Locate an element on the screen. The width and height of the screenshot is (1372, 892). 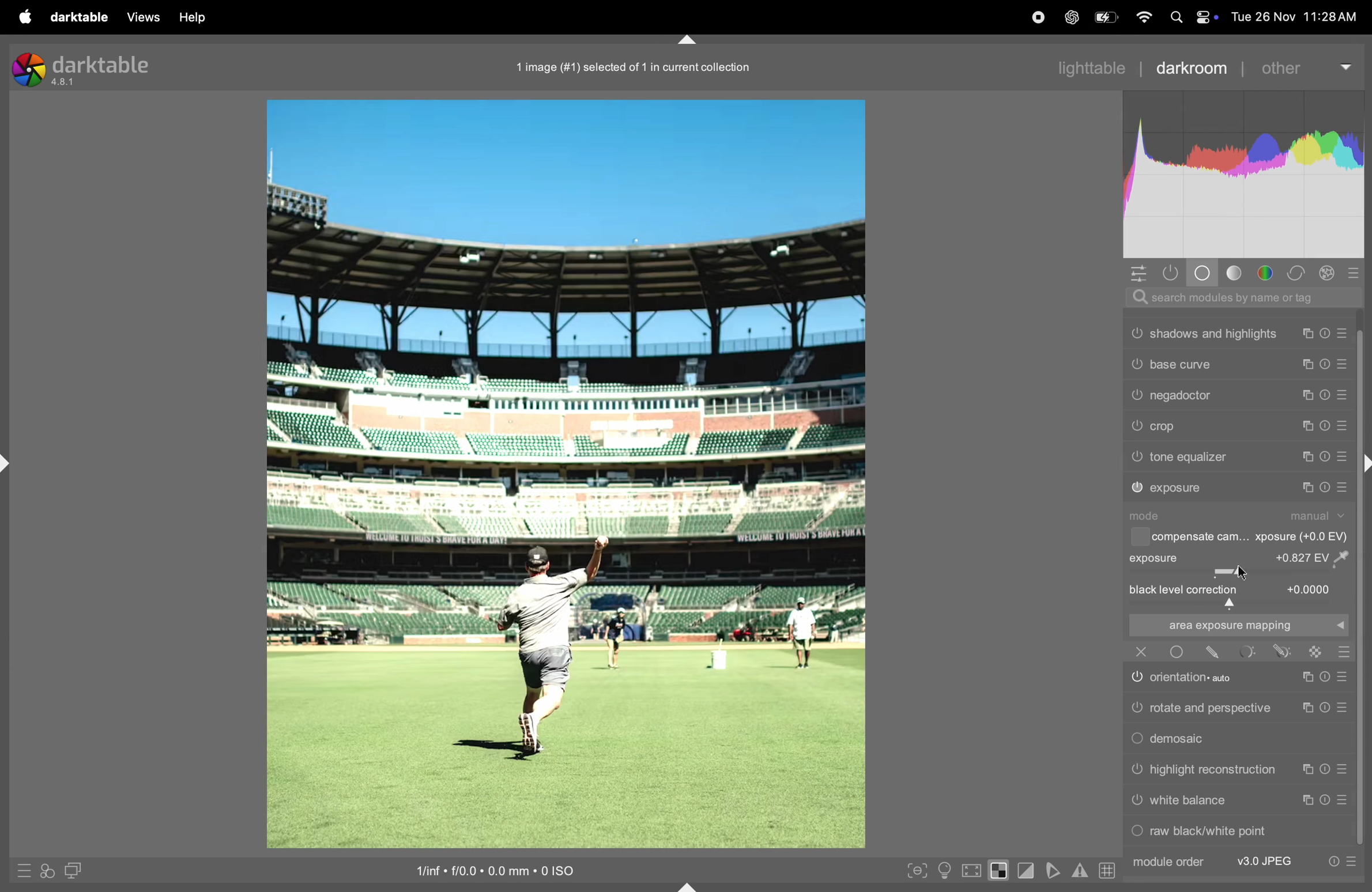
tone is located at coordinates (1235, 273).